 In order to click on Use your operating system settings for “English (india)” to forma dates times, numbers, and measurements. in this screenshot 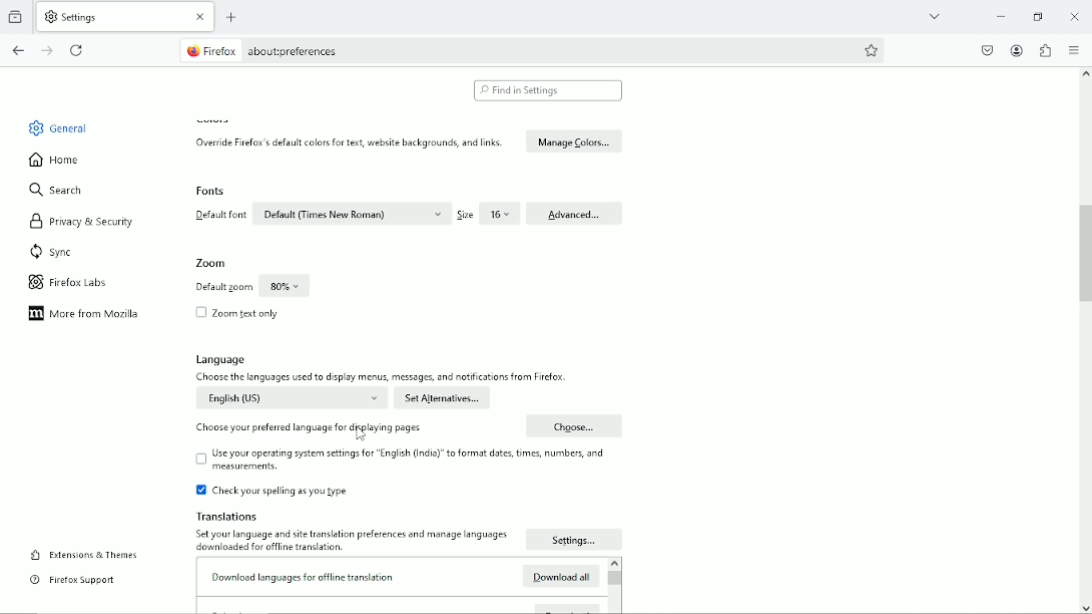, I will do `click(403, 461)`.